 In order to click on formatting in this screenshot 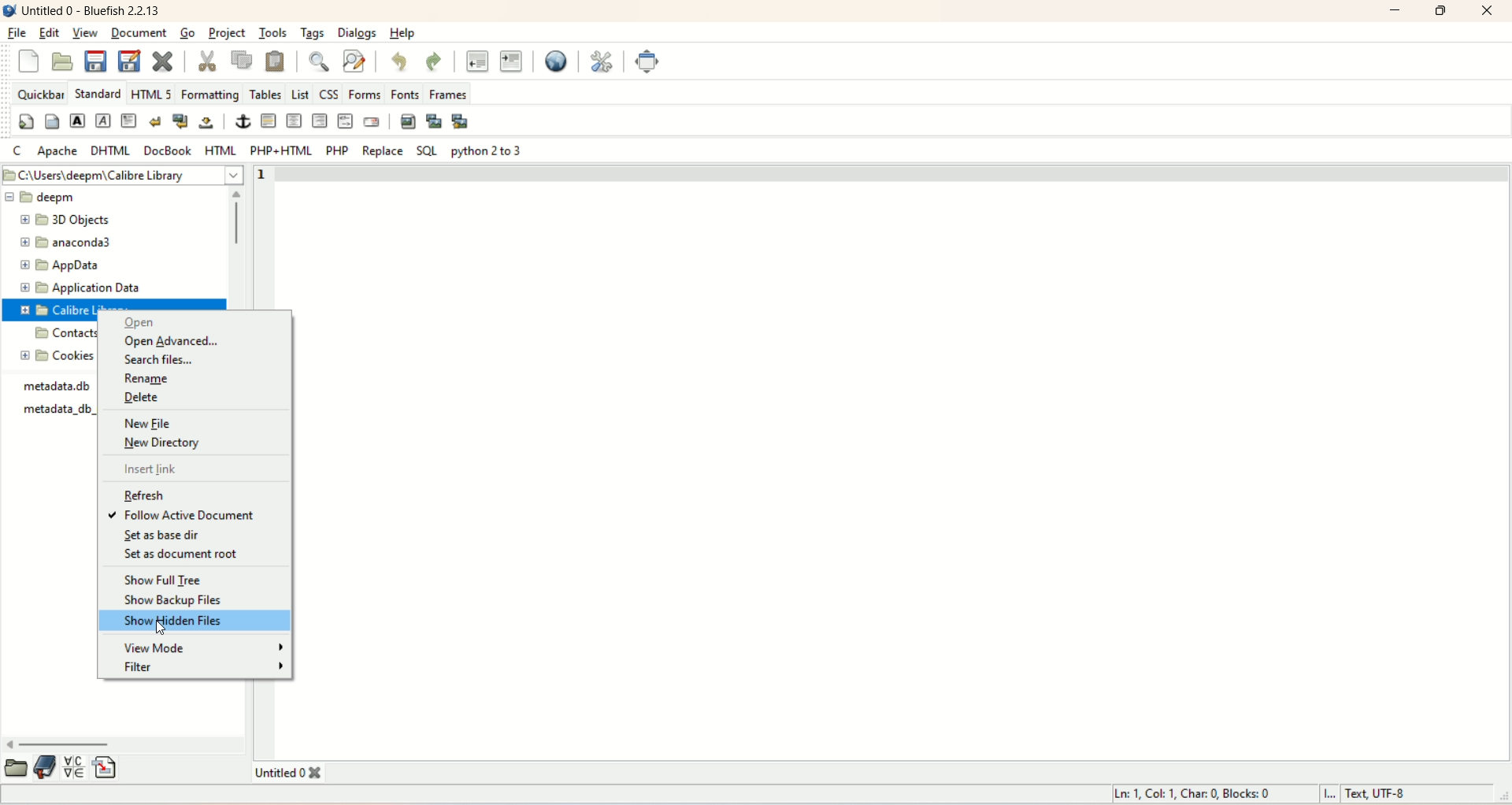, I will do `click(209, 95)`.